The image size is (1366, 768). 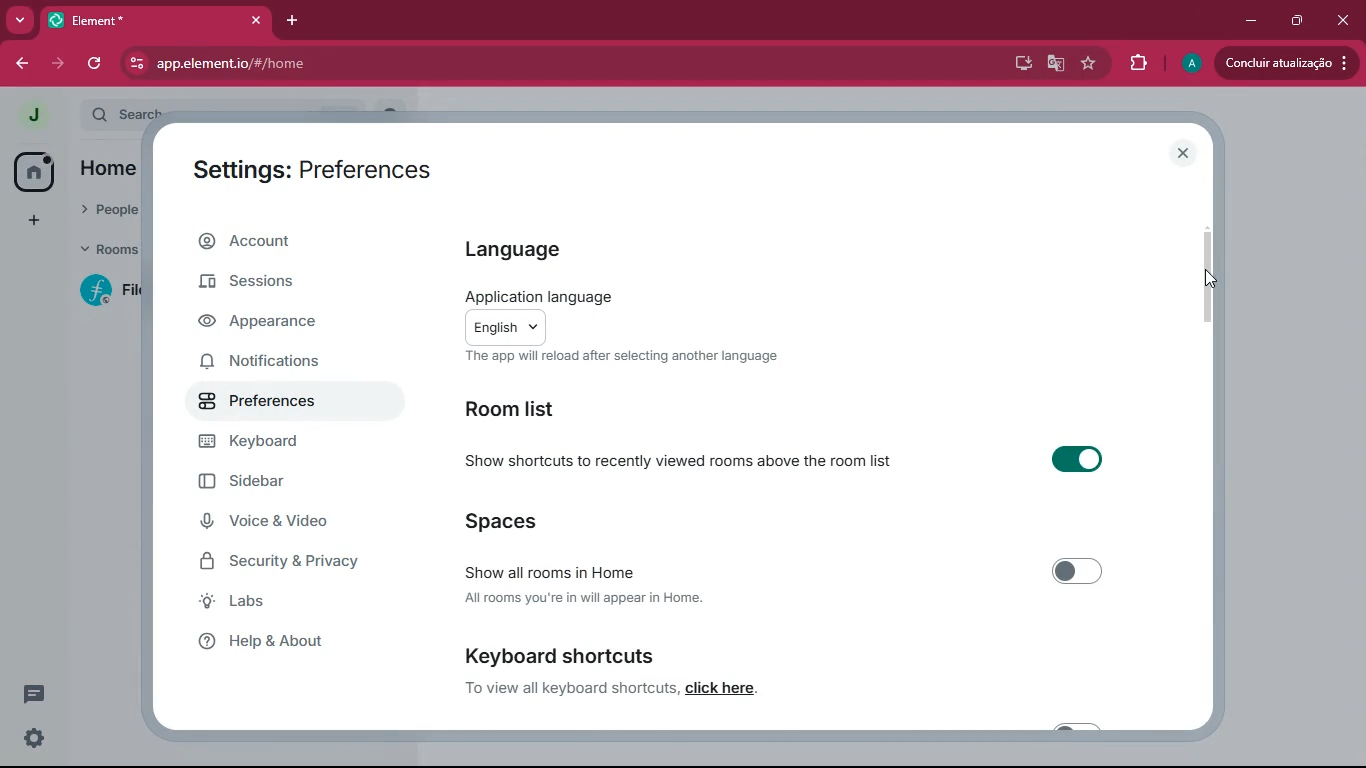 What do you see at coordinates (506, 326) in the screenshot?
I see `english` at bounding box center [506, 326].